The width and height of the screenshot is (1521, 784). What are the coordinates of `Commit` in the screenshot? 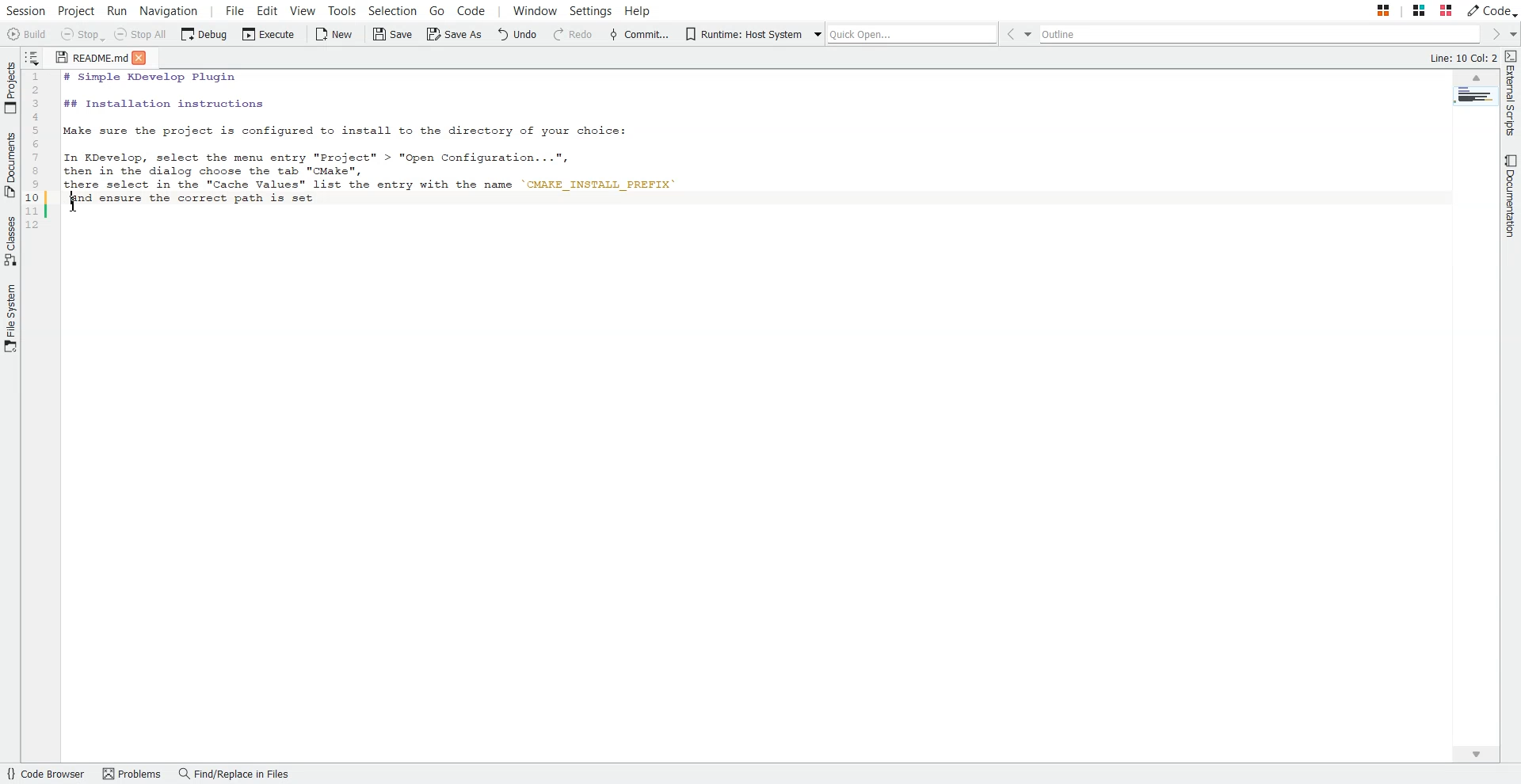 It's located at (639, 35).